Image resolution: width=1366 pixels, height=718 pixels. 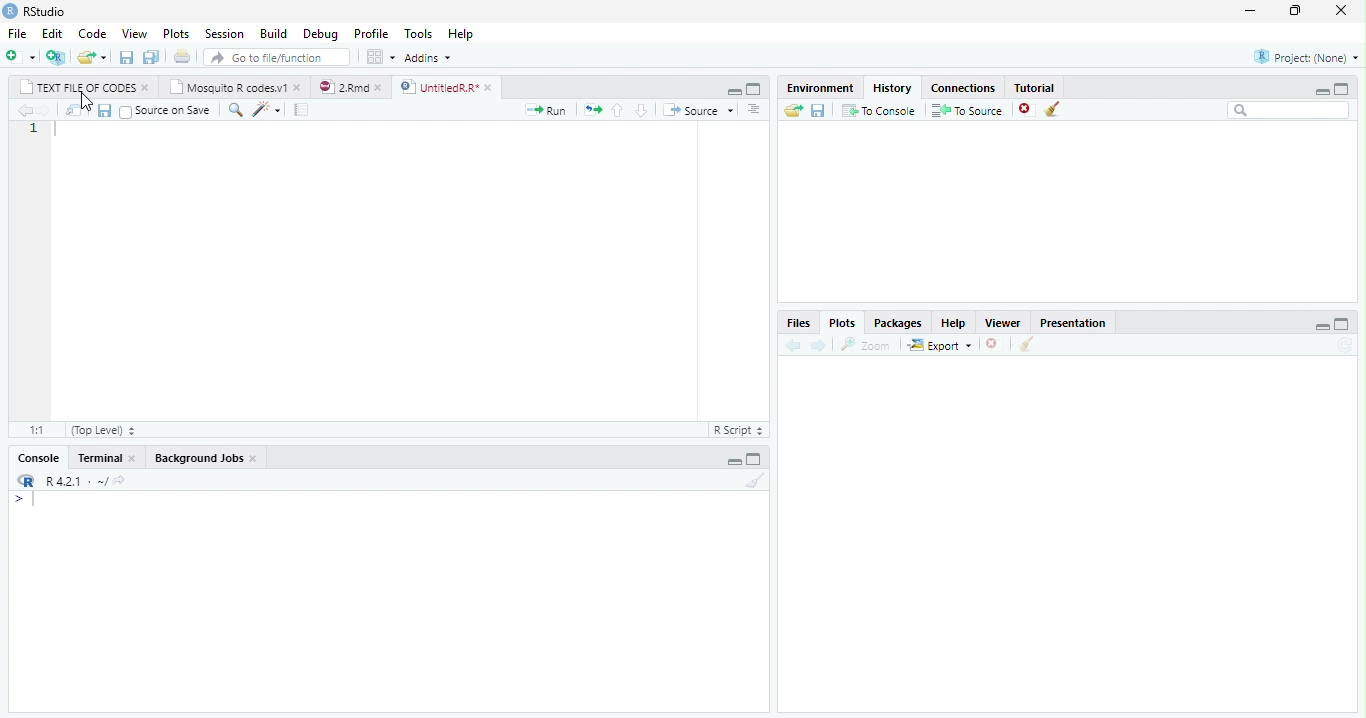 I want to click on go to file/function, so click(x=277, y=58).